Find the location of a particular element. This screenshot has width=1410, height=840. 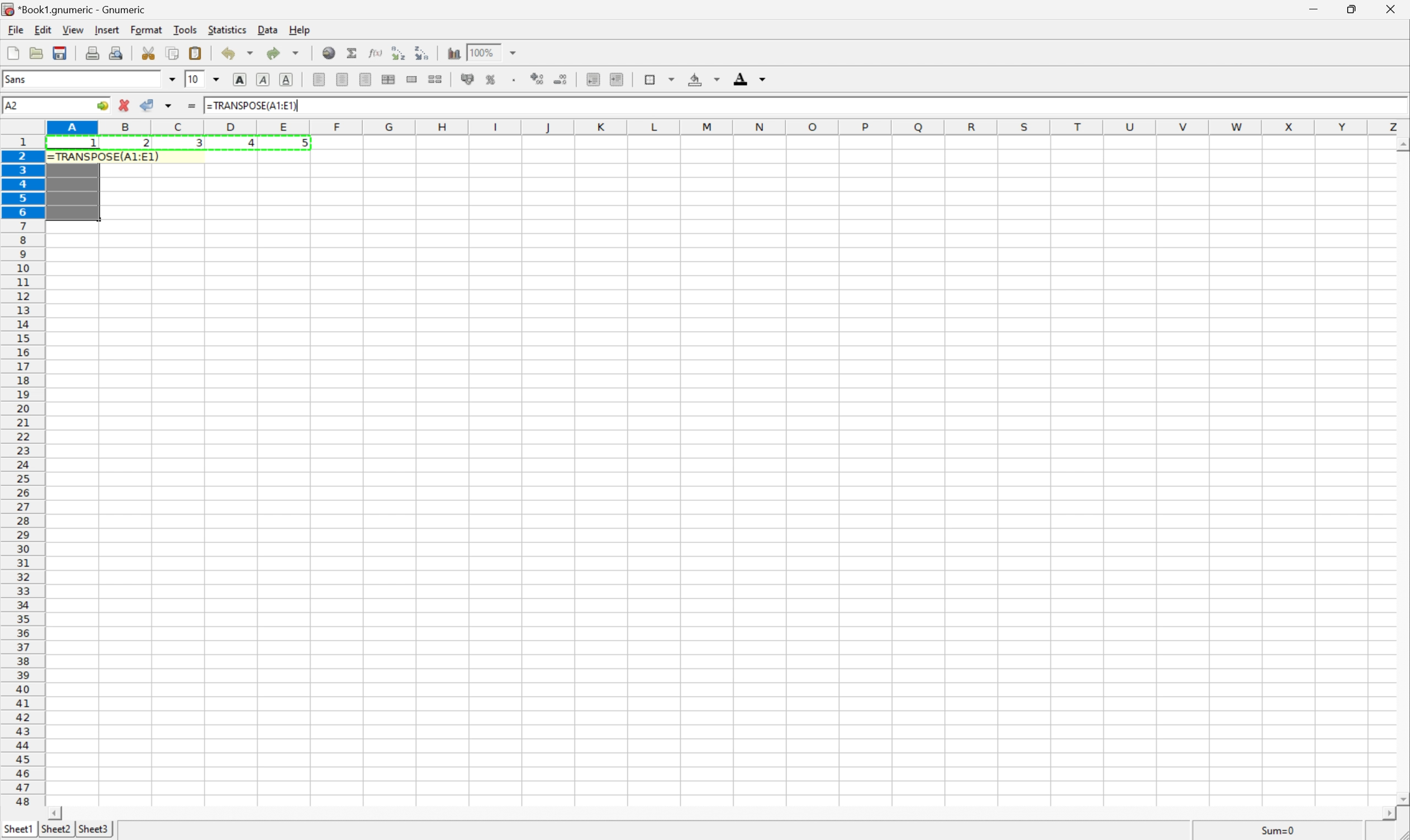

scroll left is located at coordinates (58, 813).